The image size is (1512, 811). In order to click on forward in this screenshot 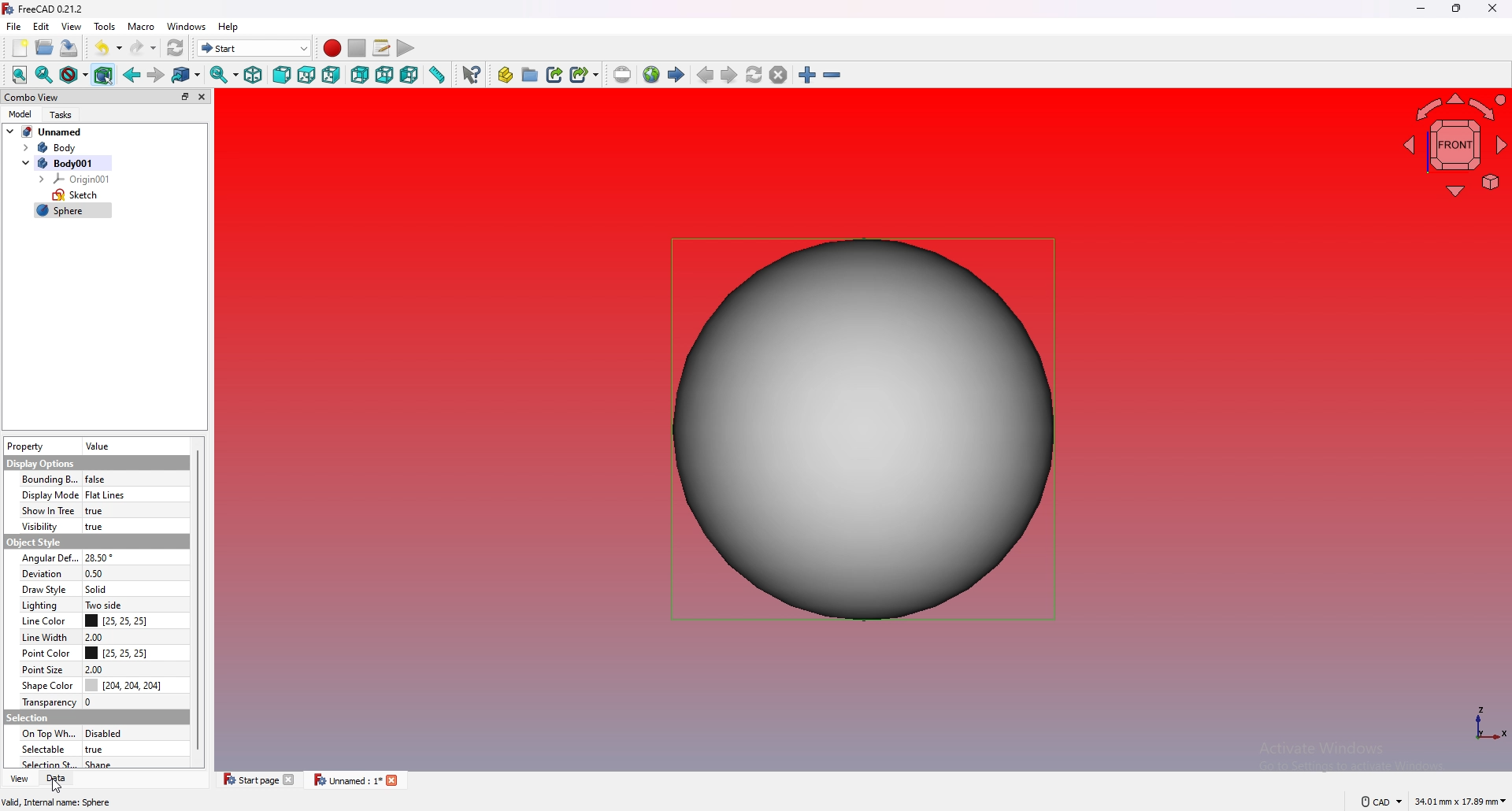, I will do `click(154, 75)`.